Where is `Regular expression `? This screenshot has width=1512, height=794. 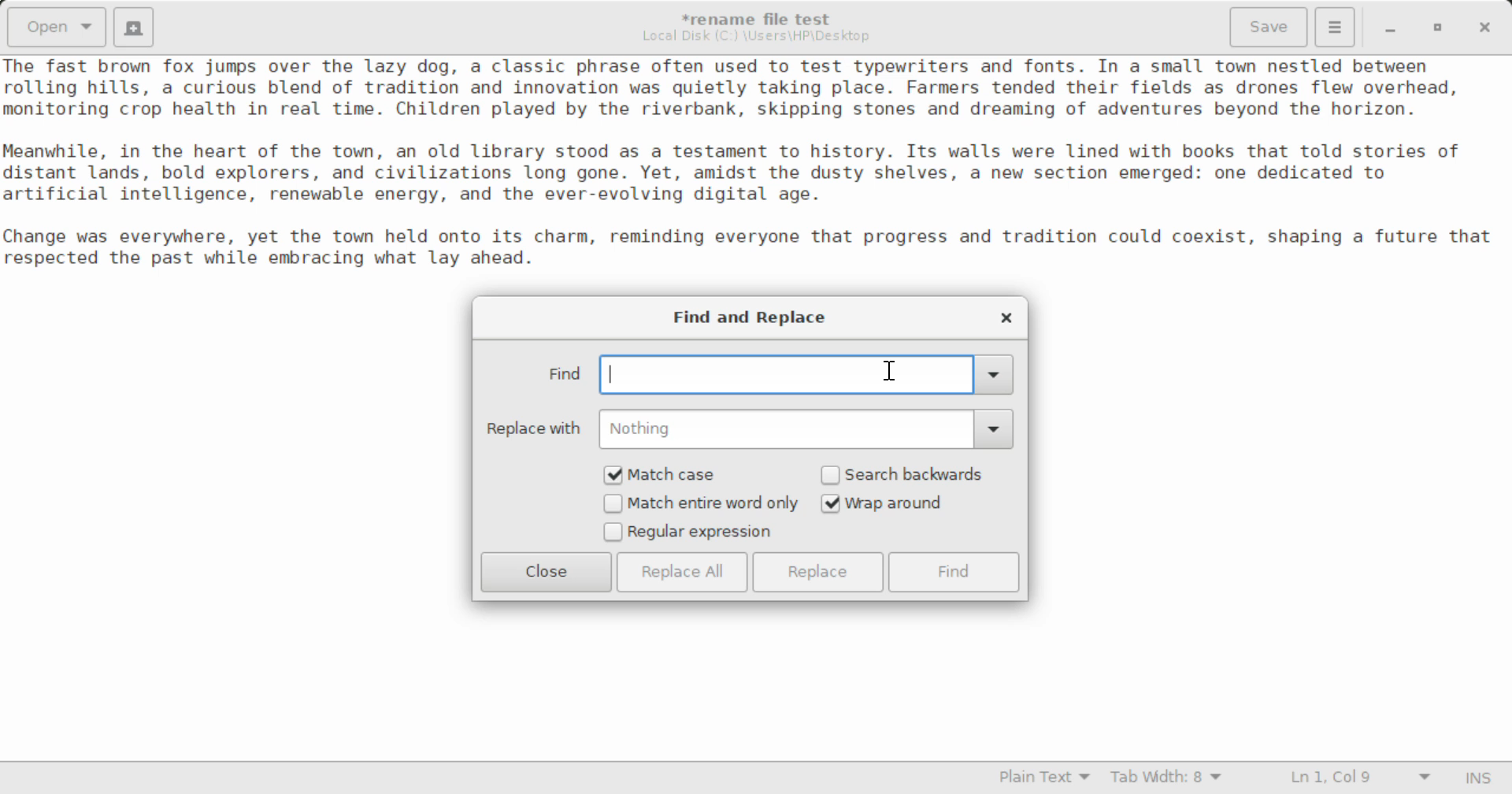
Regular expression  is located at coordinates (688, 533).